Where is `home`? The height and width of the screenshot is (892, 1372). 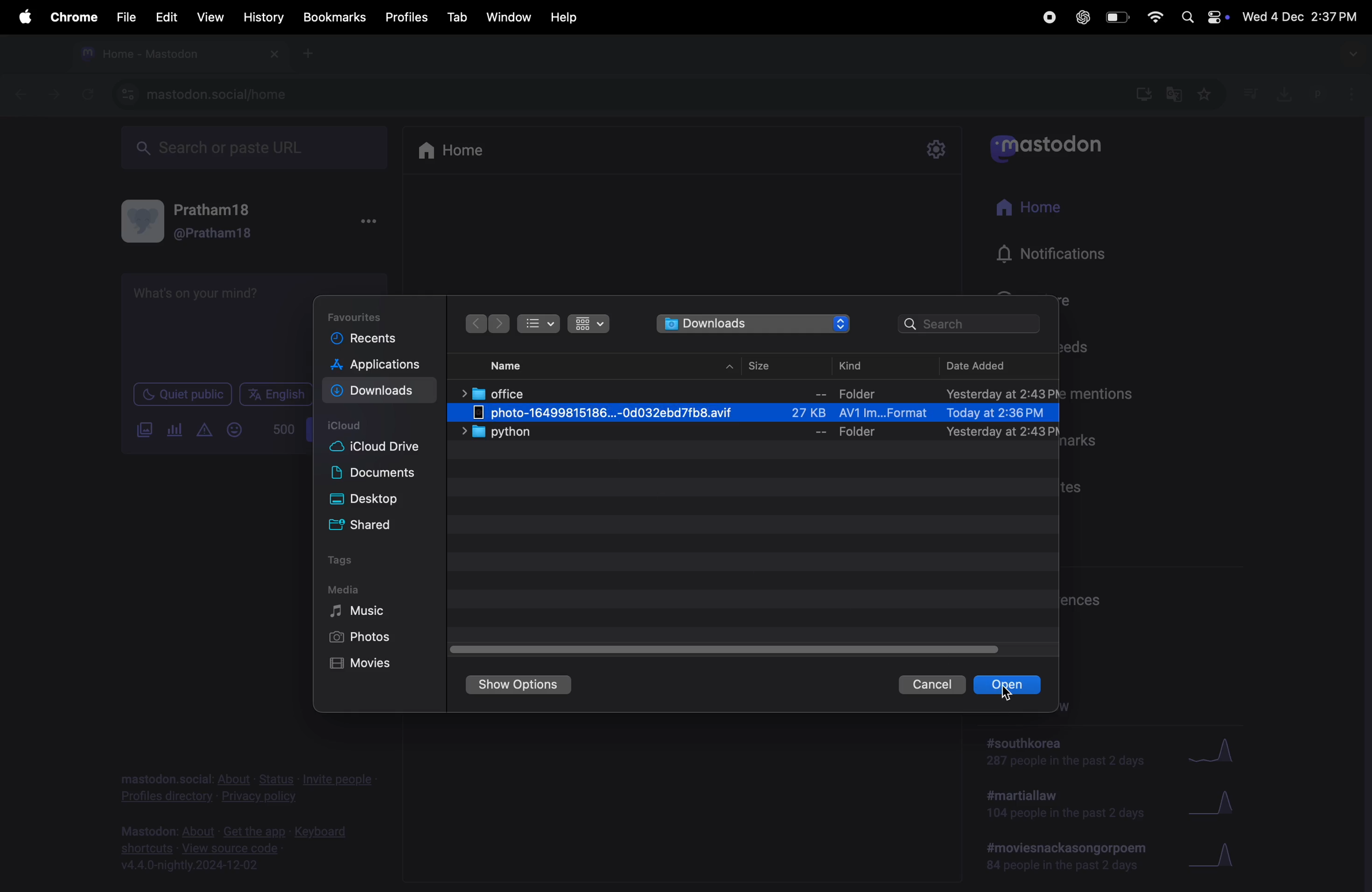
home is located at coordinates (1032, 209).